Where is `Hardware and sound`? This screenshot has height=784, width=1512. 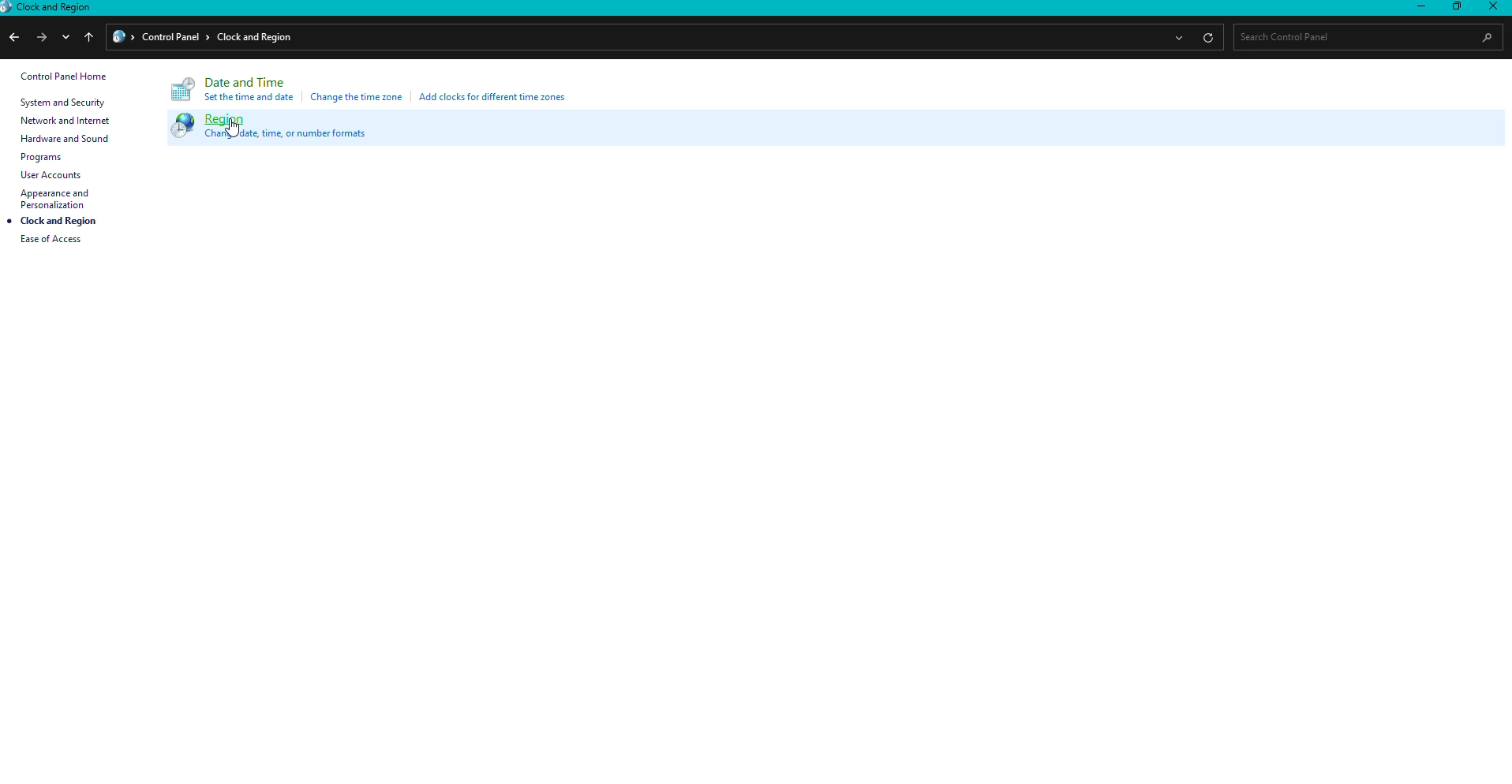
Hardware and sound is located at coordinates (62, 140).